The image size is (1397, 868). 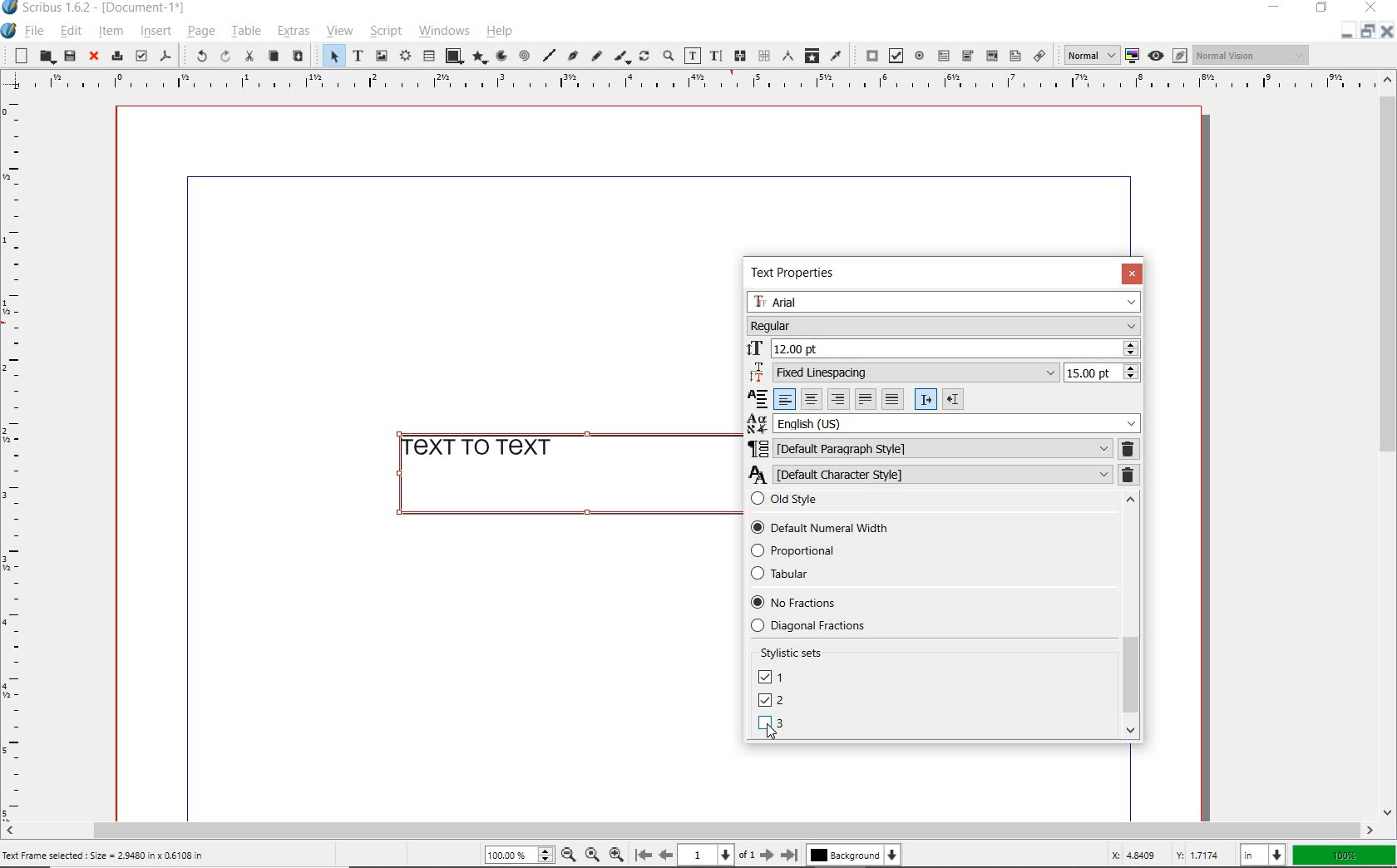 What do you see at coordinates (763, 57) in the screenshot?
I see `unlink text frames` at bounding box center [763, 57].